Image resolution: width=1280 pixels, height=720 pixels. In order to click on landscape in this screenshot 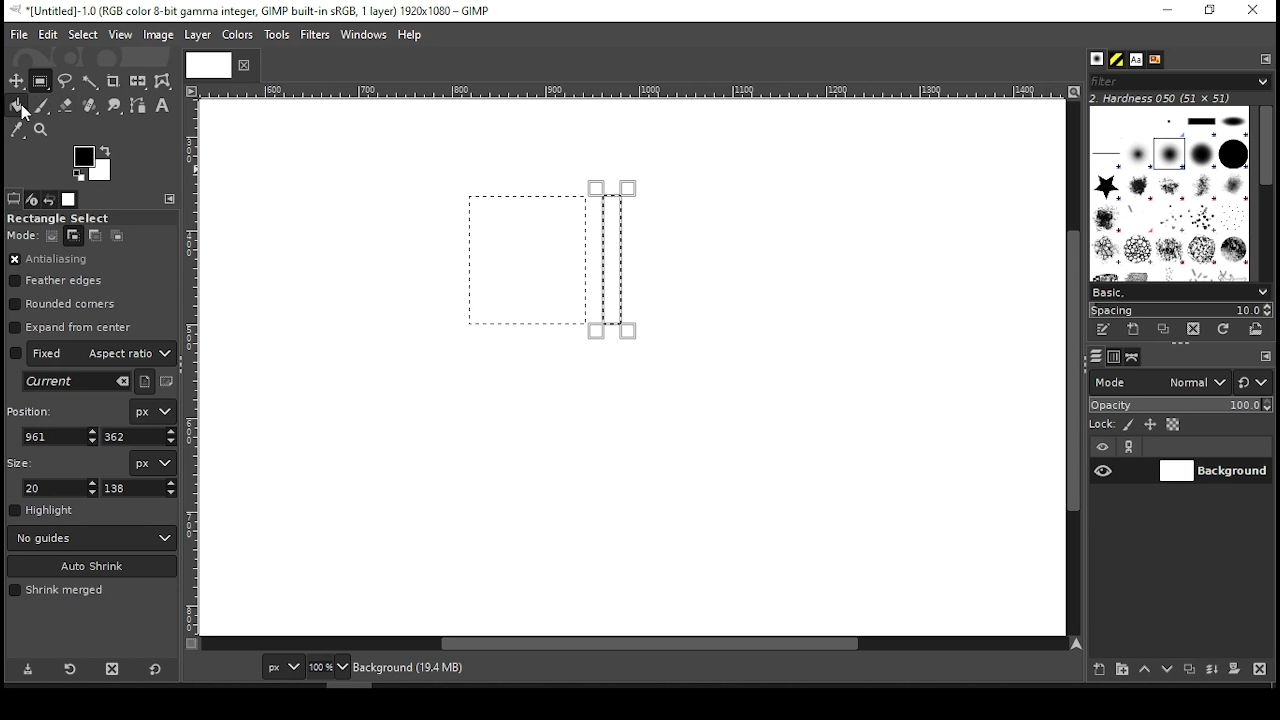, I will do `click(168, 383)`.